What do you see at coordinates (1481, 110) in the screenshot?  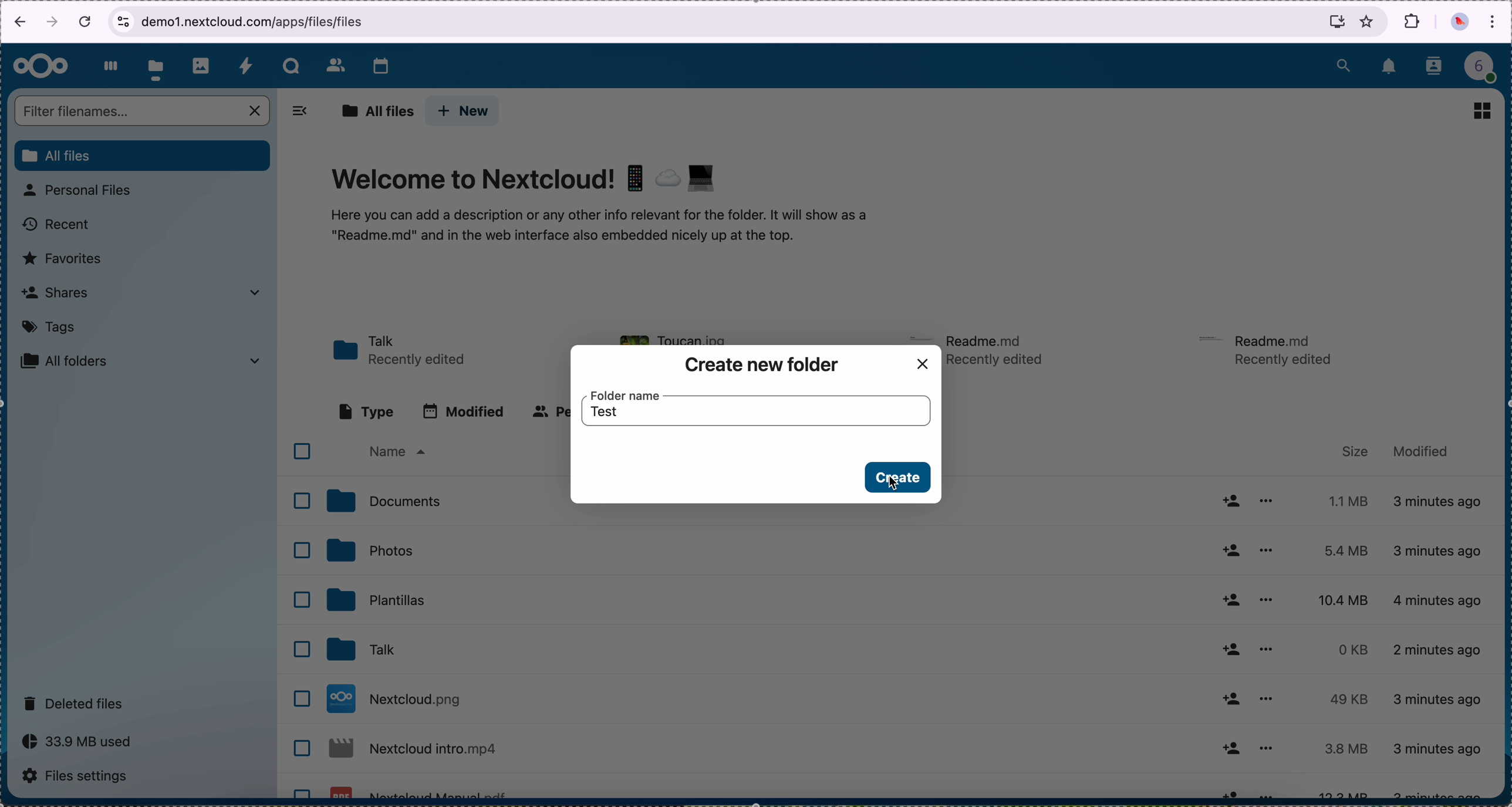 I see `view grid` at bounding box center [1481, 110].